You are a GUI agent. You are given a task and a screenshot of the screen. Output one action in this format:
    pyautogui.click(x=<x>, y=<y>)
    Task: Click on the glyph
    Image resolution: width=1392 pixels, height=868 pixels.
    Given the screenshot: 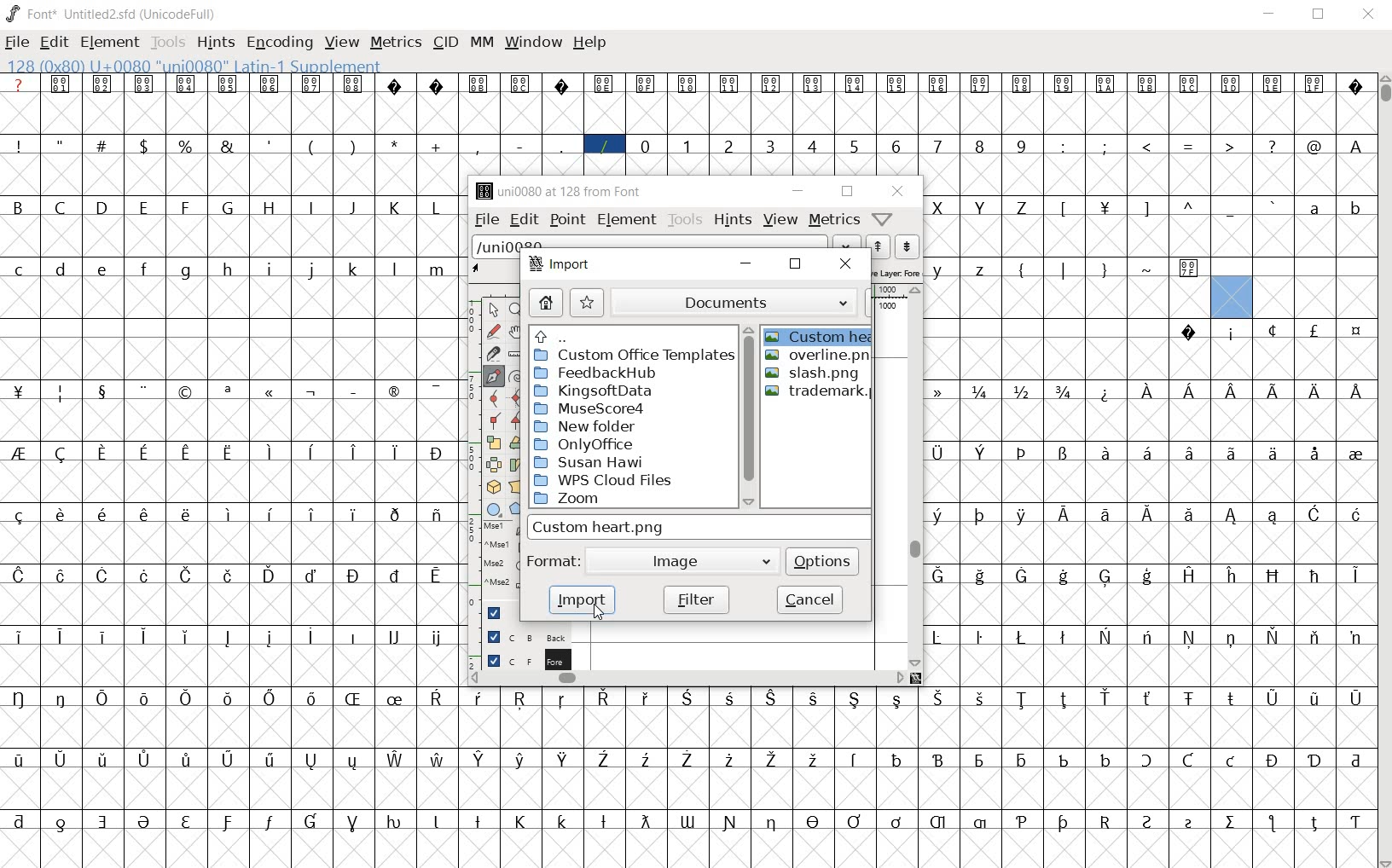 What is the action you would take?
    pyautogui.click(x=18, y=698)
    